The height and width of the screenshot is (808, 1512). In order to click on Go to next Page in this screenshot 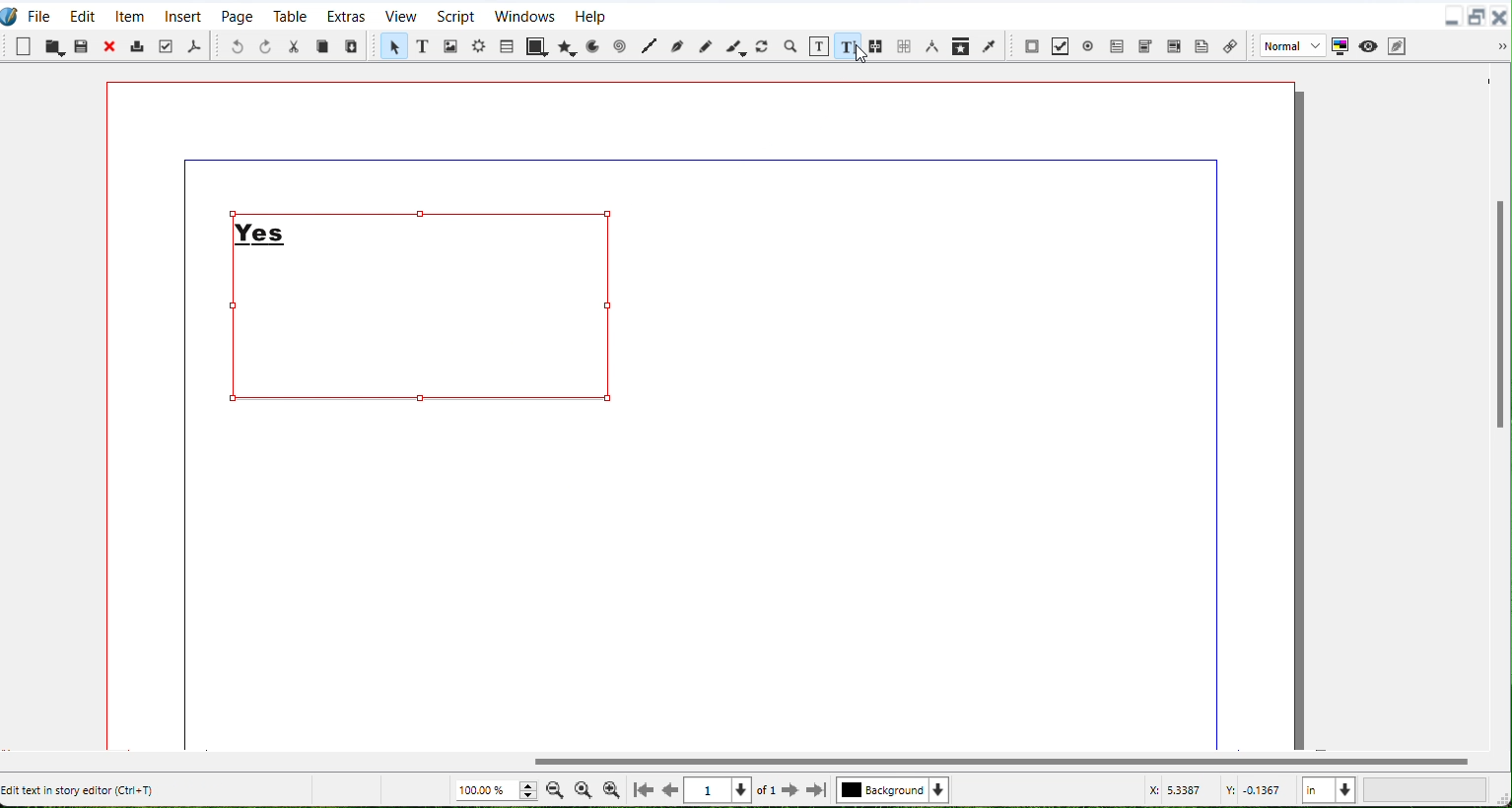, I will do `click(790, 791)`.